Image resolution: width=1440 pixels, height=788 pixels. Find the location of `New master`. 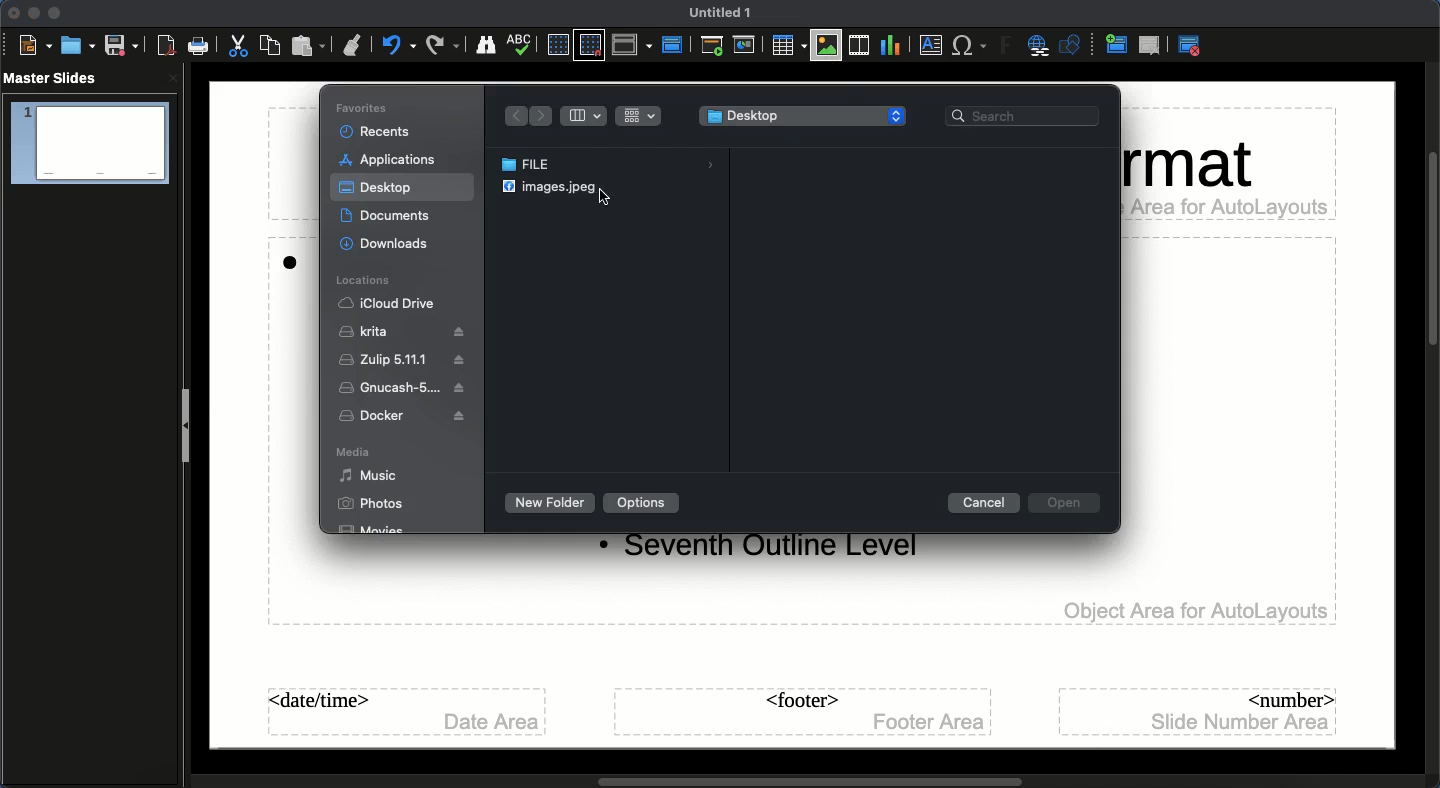

New master is located at coordinates (1117, 43).